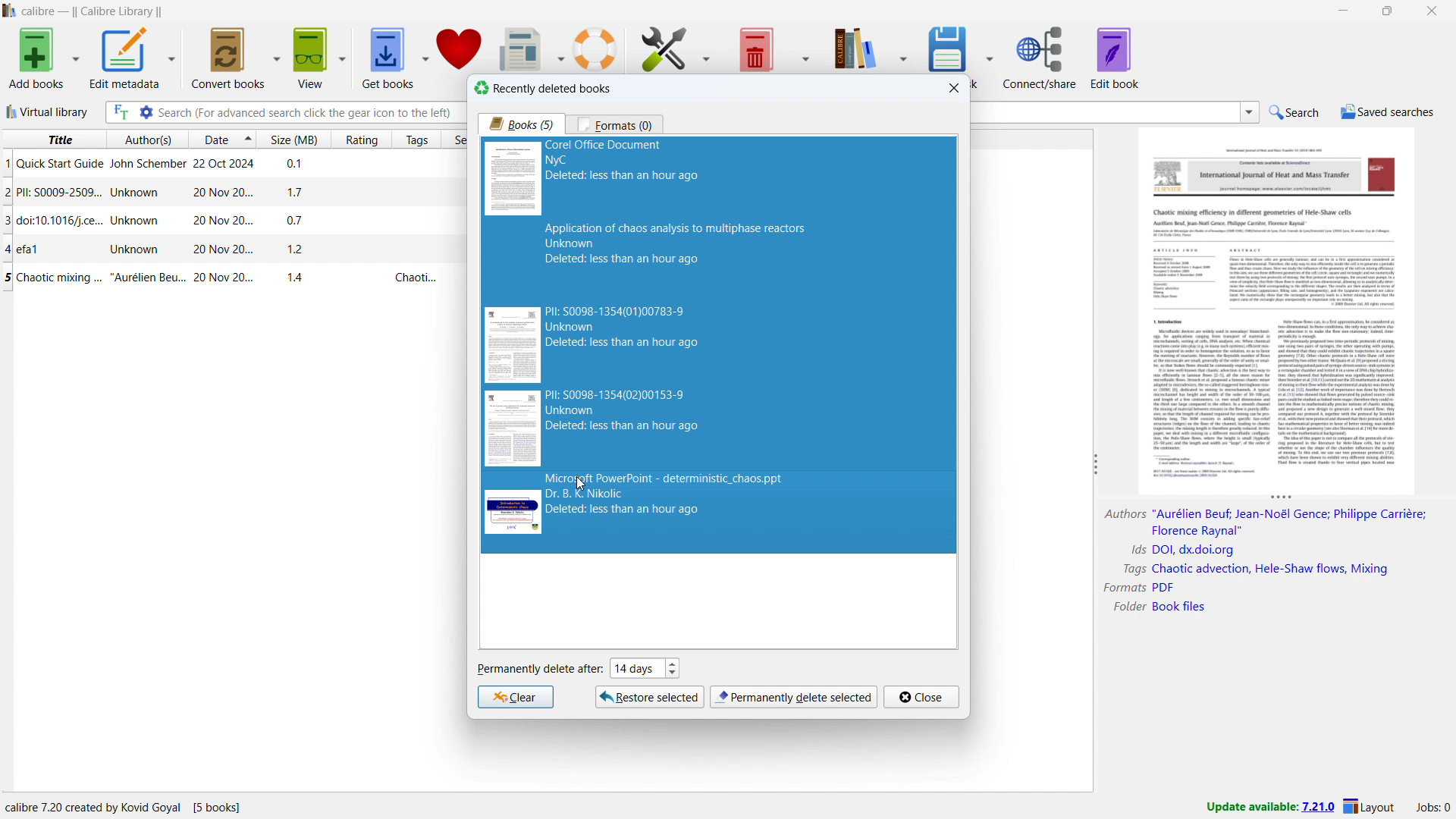  What do you see at coordinates (36, 58) in the screenshot?
I see `add books ` at bounding box center [36, 58].